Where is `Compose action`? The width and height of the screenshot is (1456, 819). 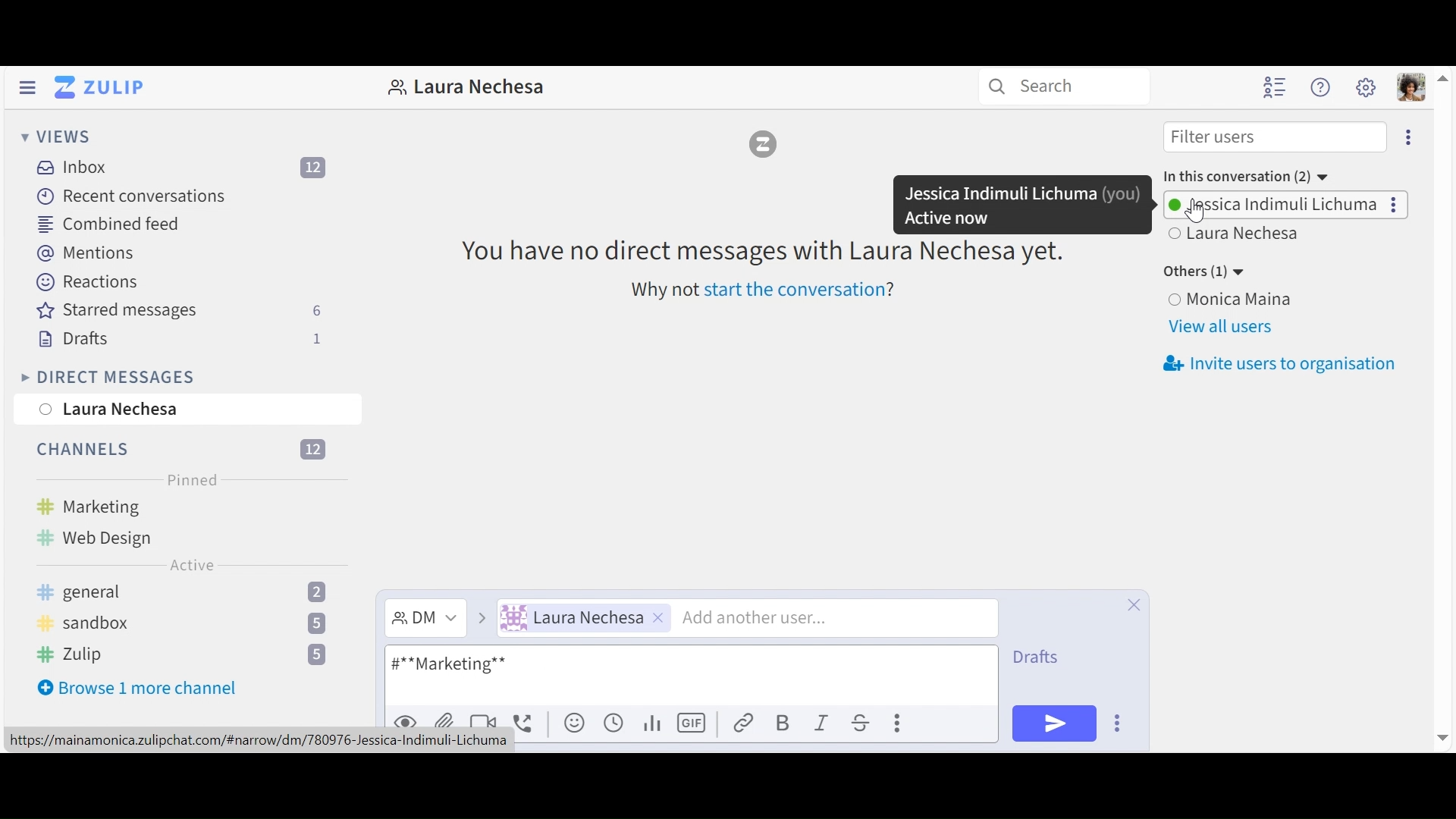 Compose action is located at coordinates (899, 723).